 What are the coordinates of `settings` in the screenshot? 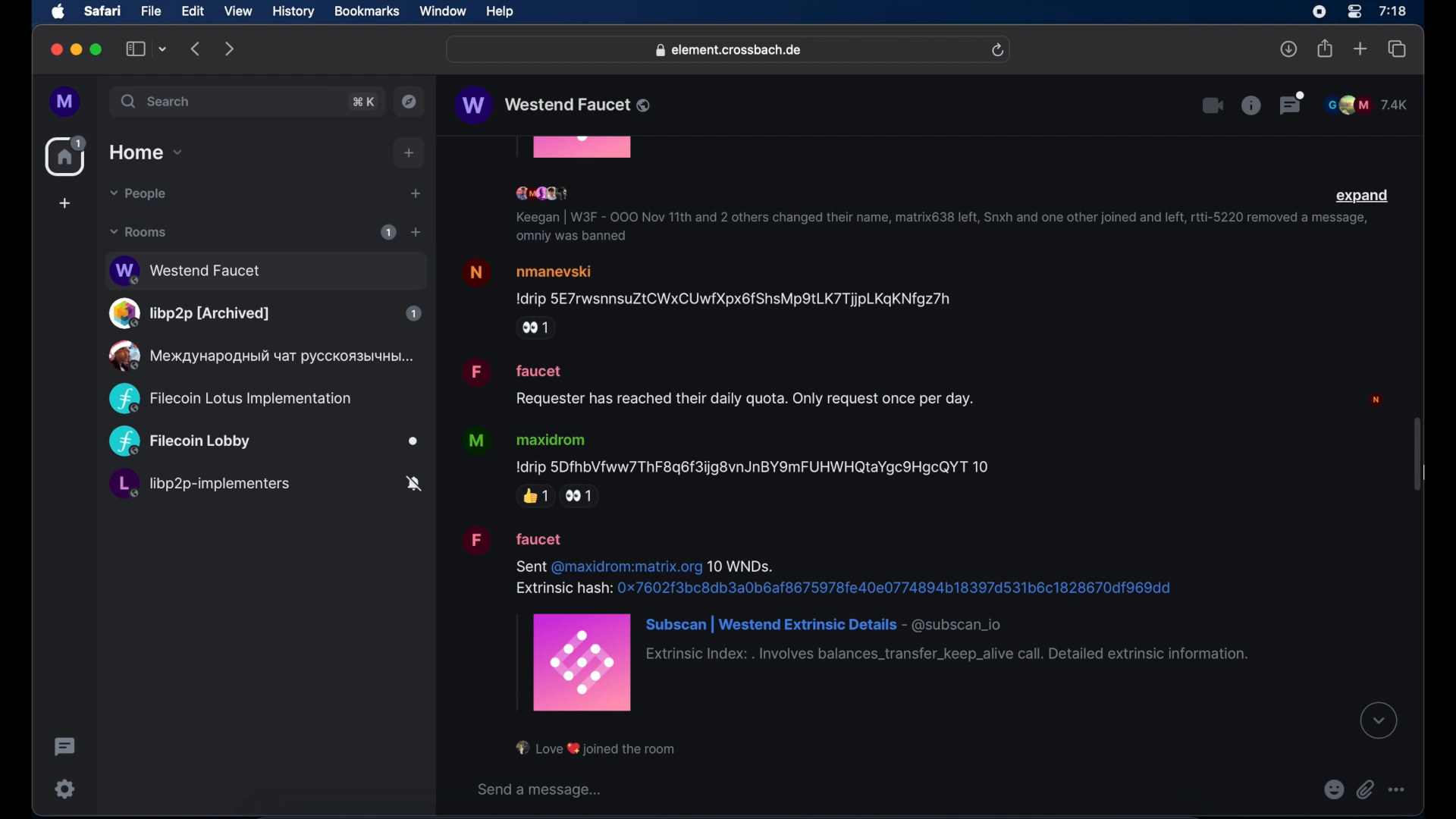 It's located at (66, 789).